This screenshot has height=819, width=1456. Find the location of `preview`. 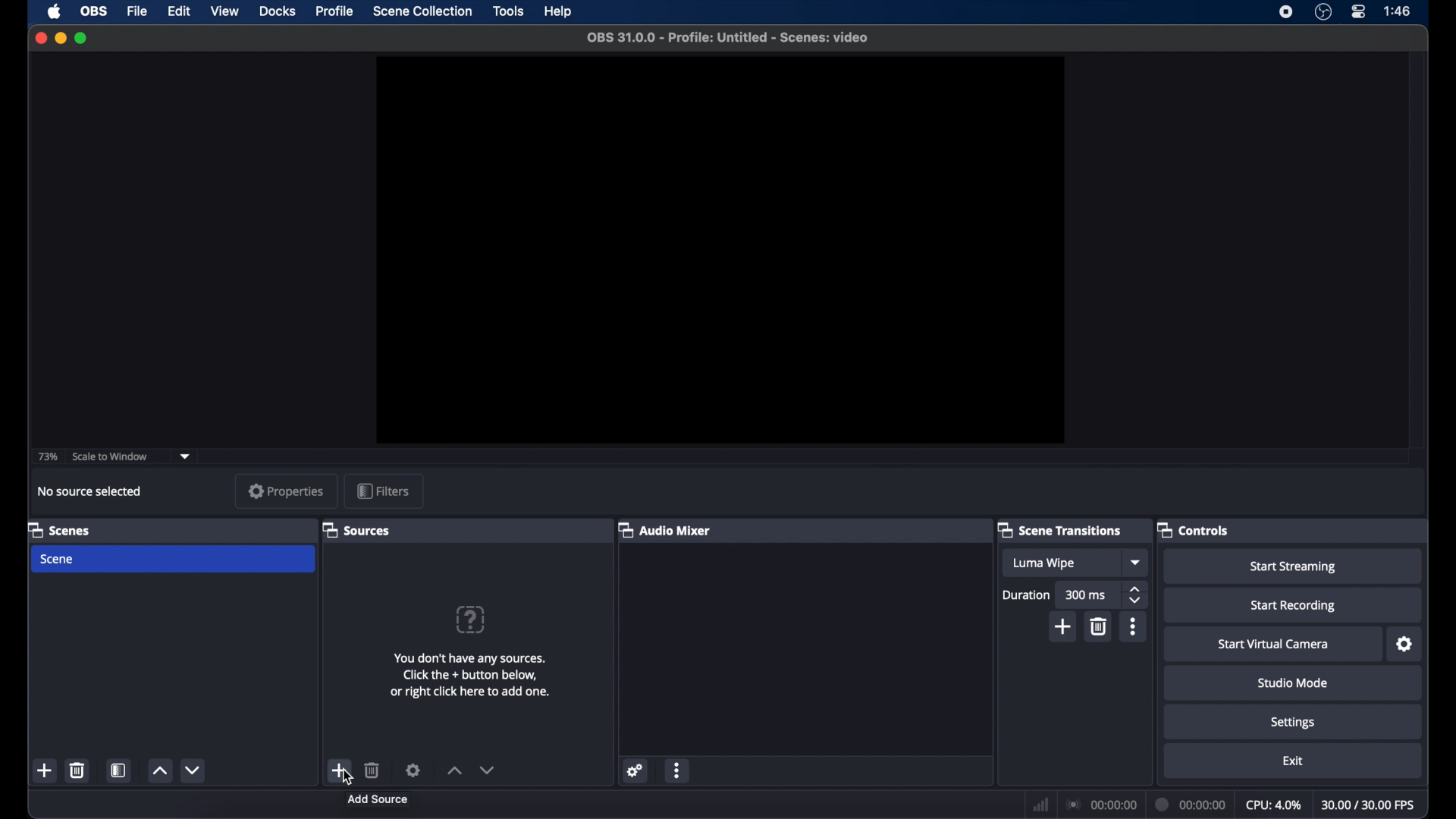

preview is located at coordinates (723, 250).